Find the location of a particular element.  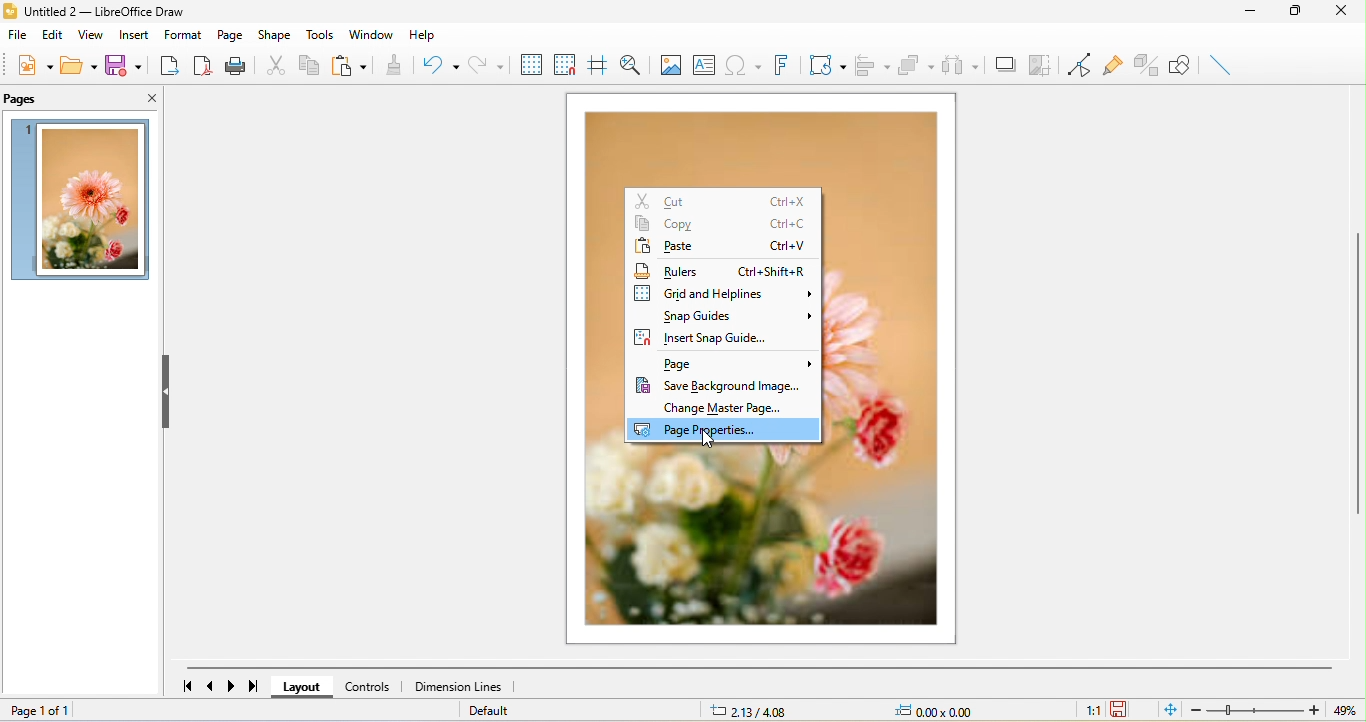

helpline while moving is located at coordinates (597, 65).